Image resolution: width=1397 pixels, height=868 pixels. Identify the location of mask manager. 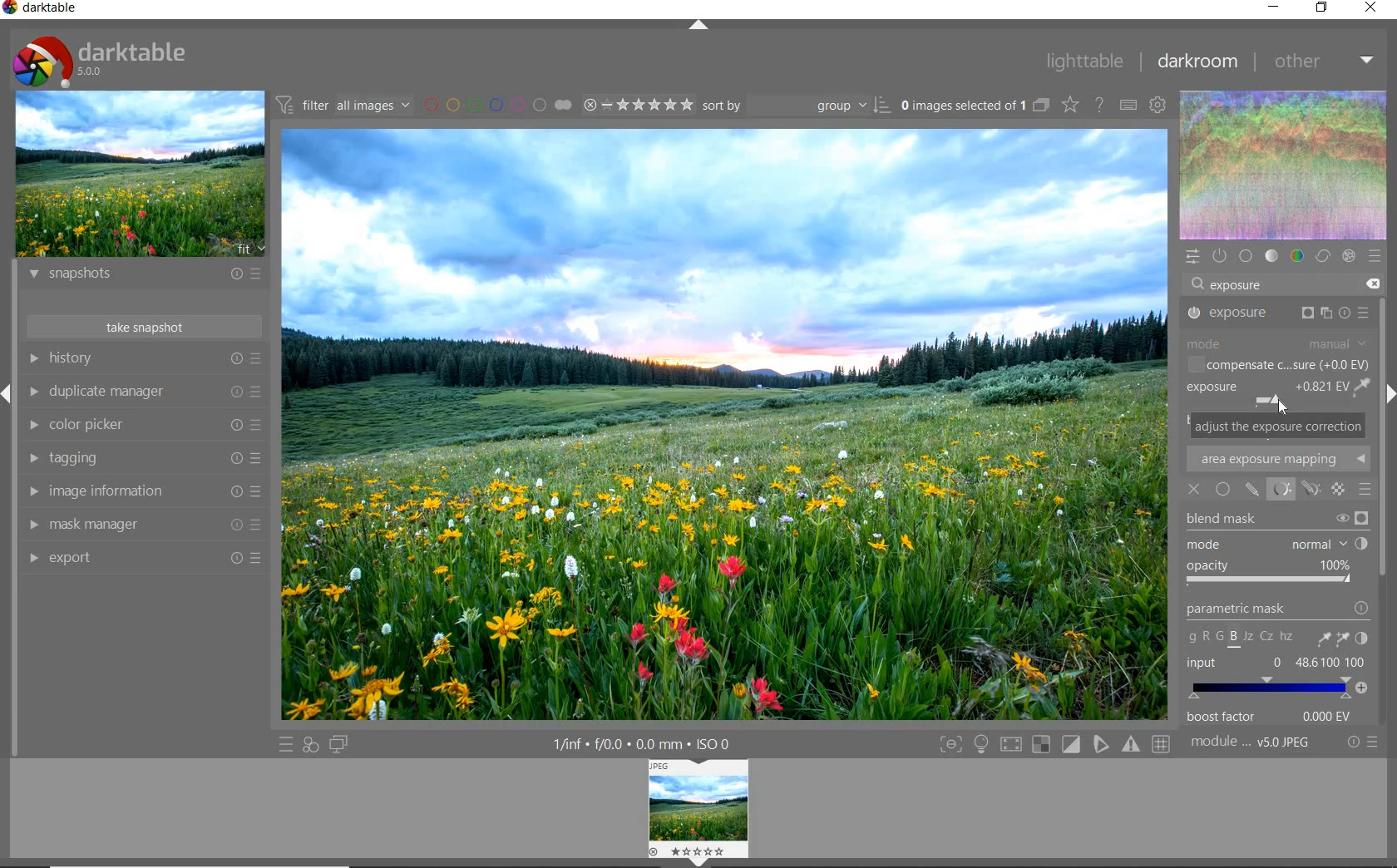
(142, 525).